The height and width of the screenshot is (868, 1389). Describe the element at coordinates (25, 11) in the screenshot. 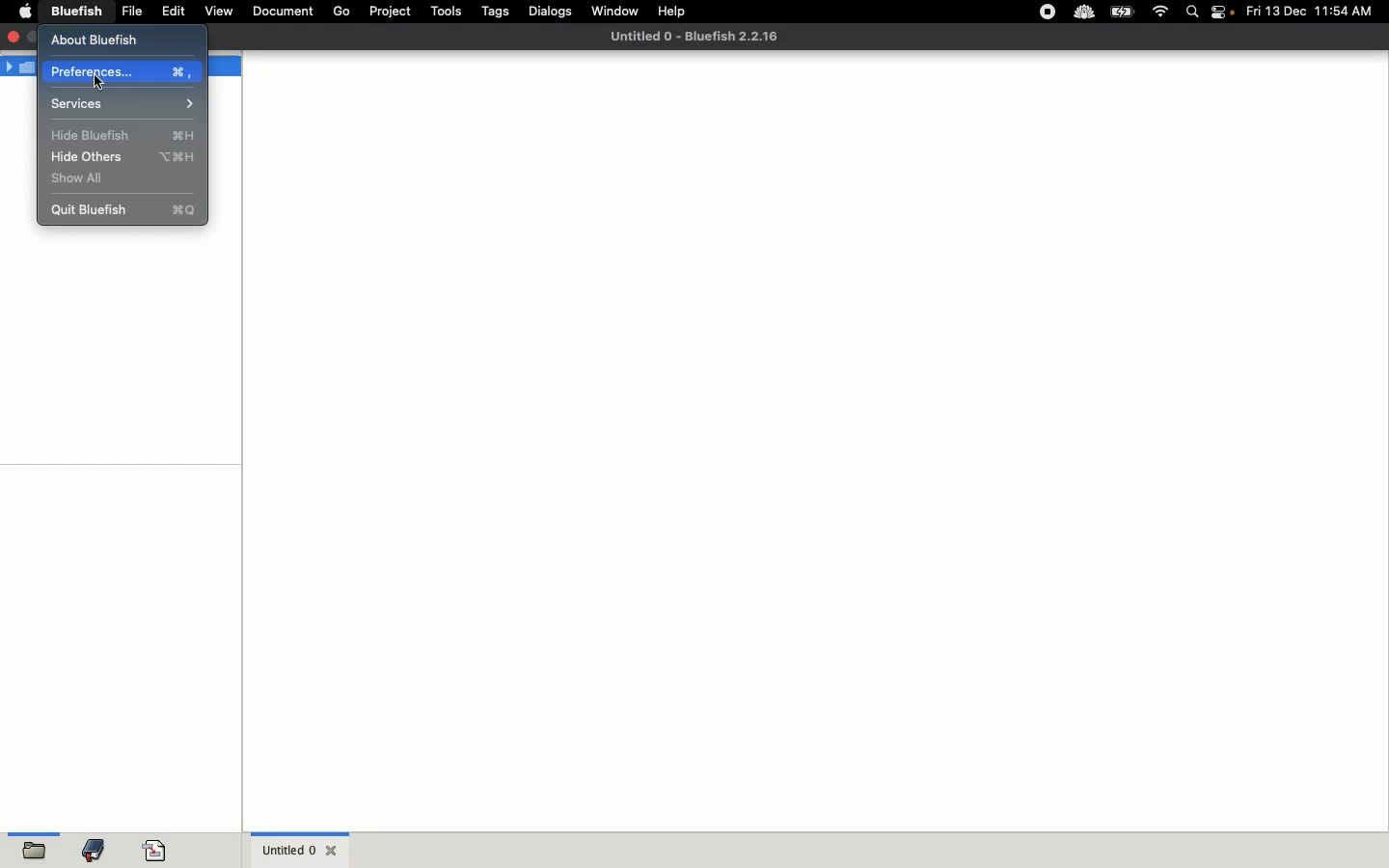

I see `Apple logo` at that location.